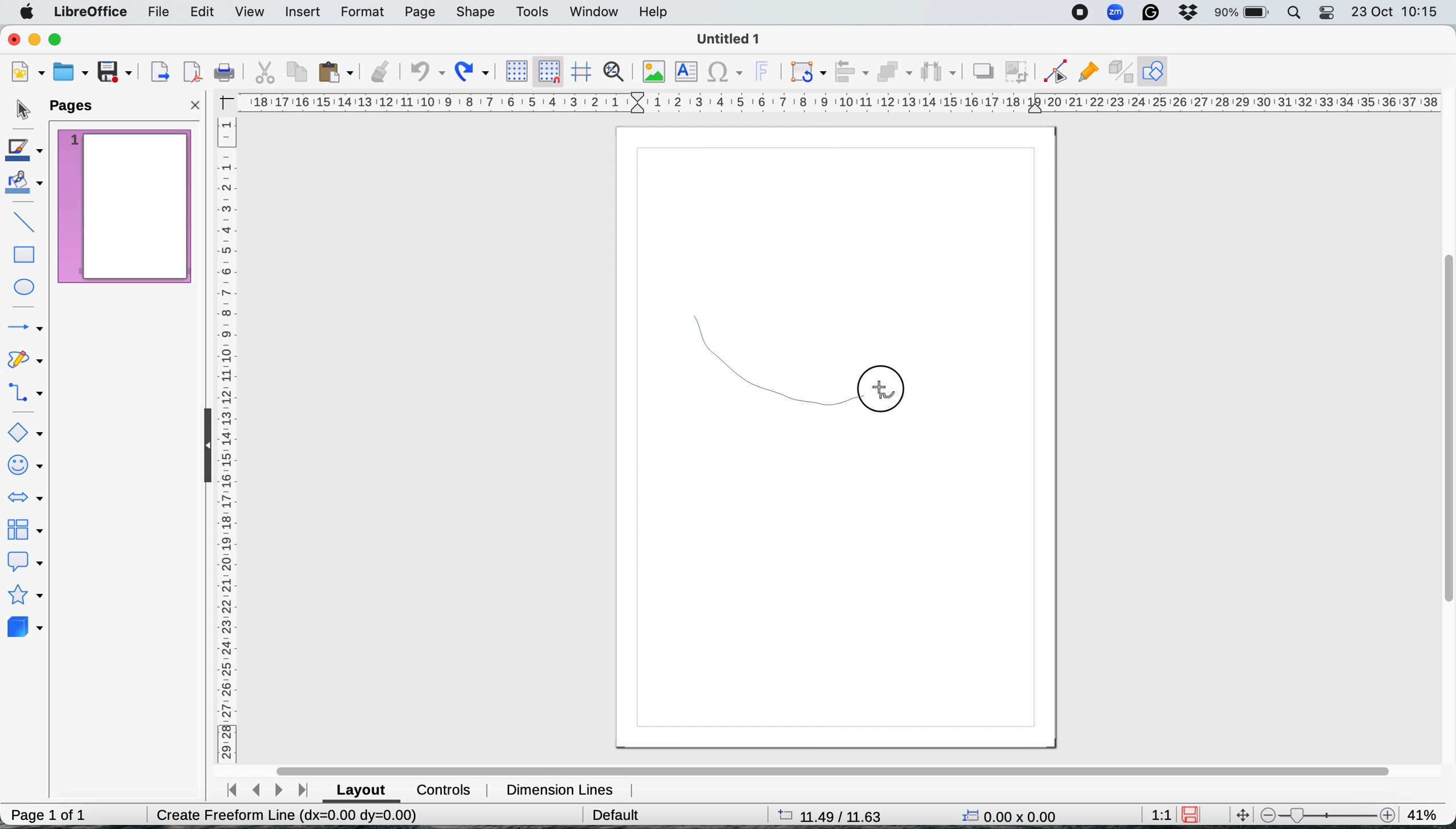  What do you see at coordinates (535, 12) in the screenshot?
I see `tools` at bounding box center [535, 12].